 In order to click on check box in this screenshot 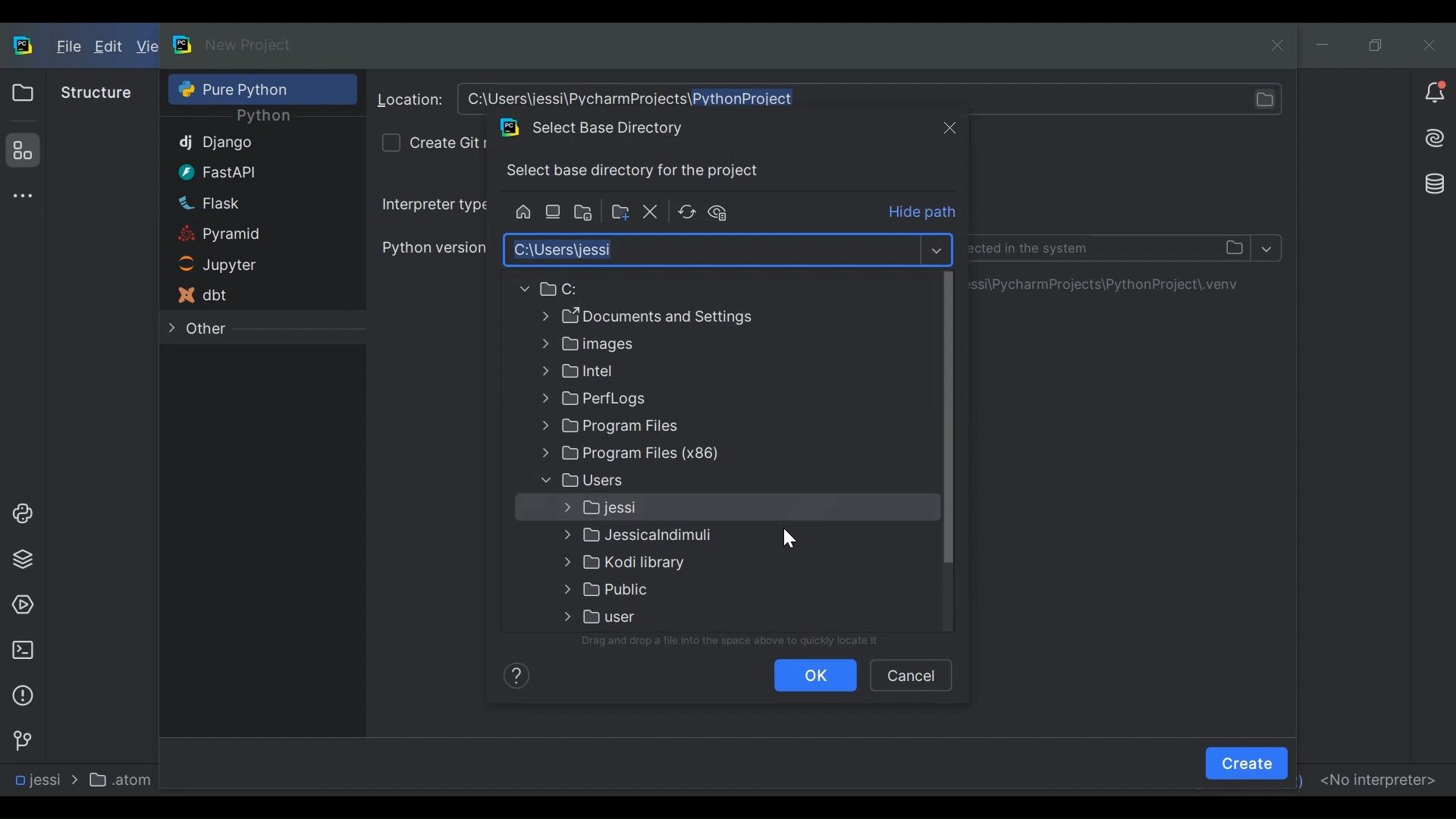, I will do `click(390, 143)`.